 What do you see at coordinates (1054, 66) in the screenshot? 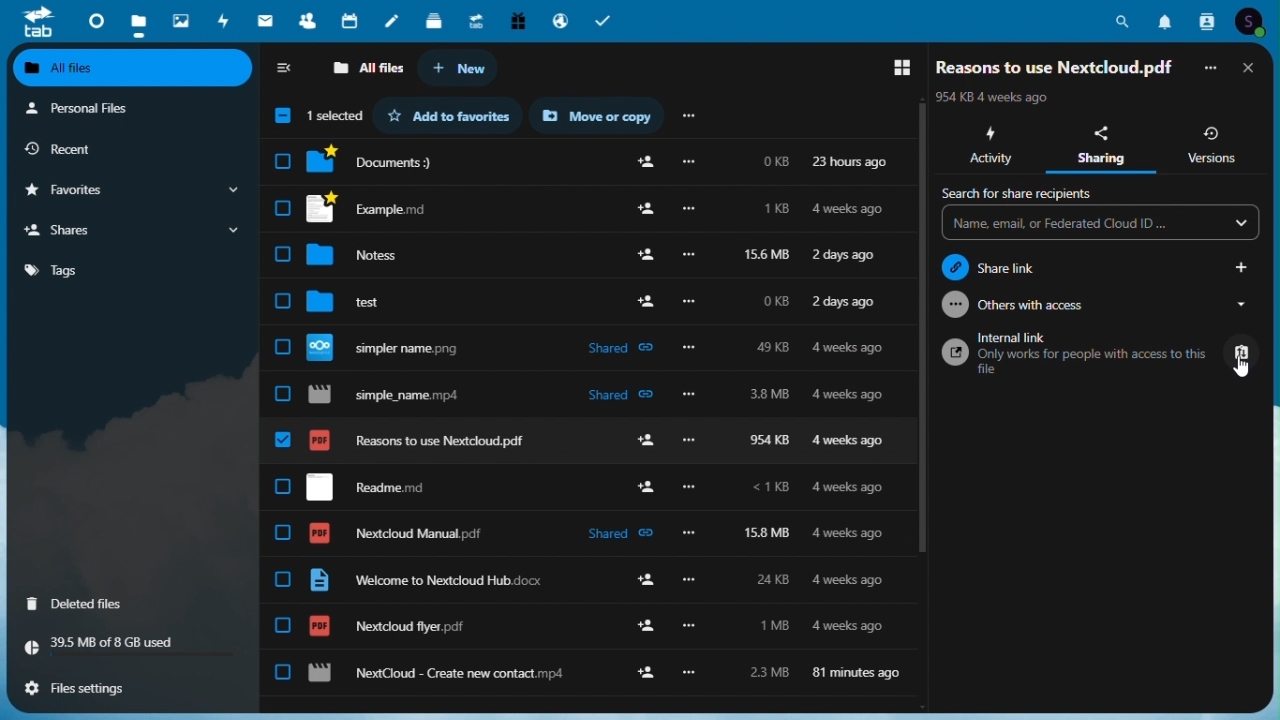
I see `File name` at bounding box center [1054, 66].